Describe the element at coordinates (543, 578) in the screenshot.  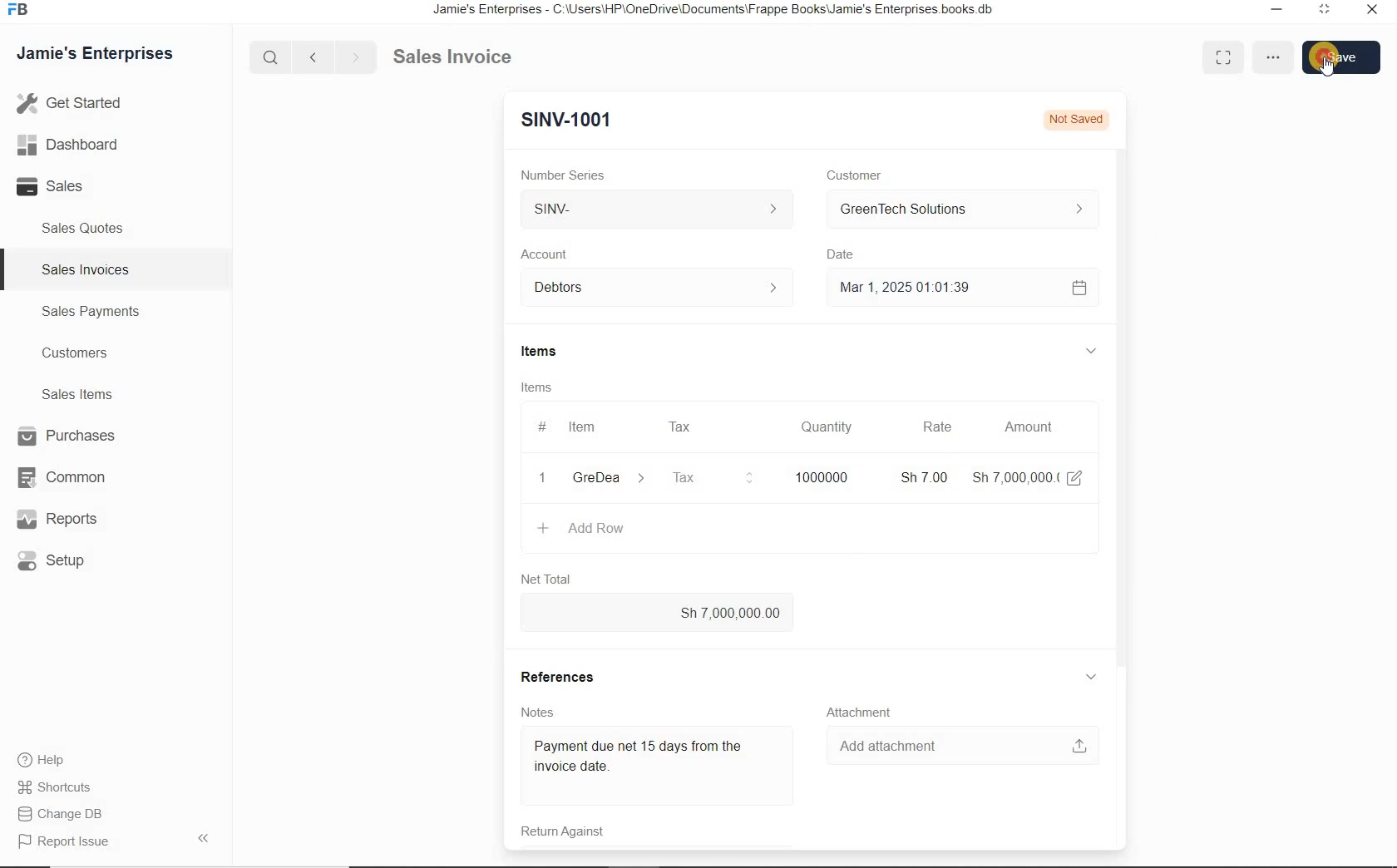
I see `Net Total` at that location.